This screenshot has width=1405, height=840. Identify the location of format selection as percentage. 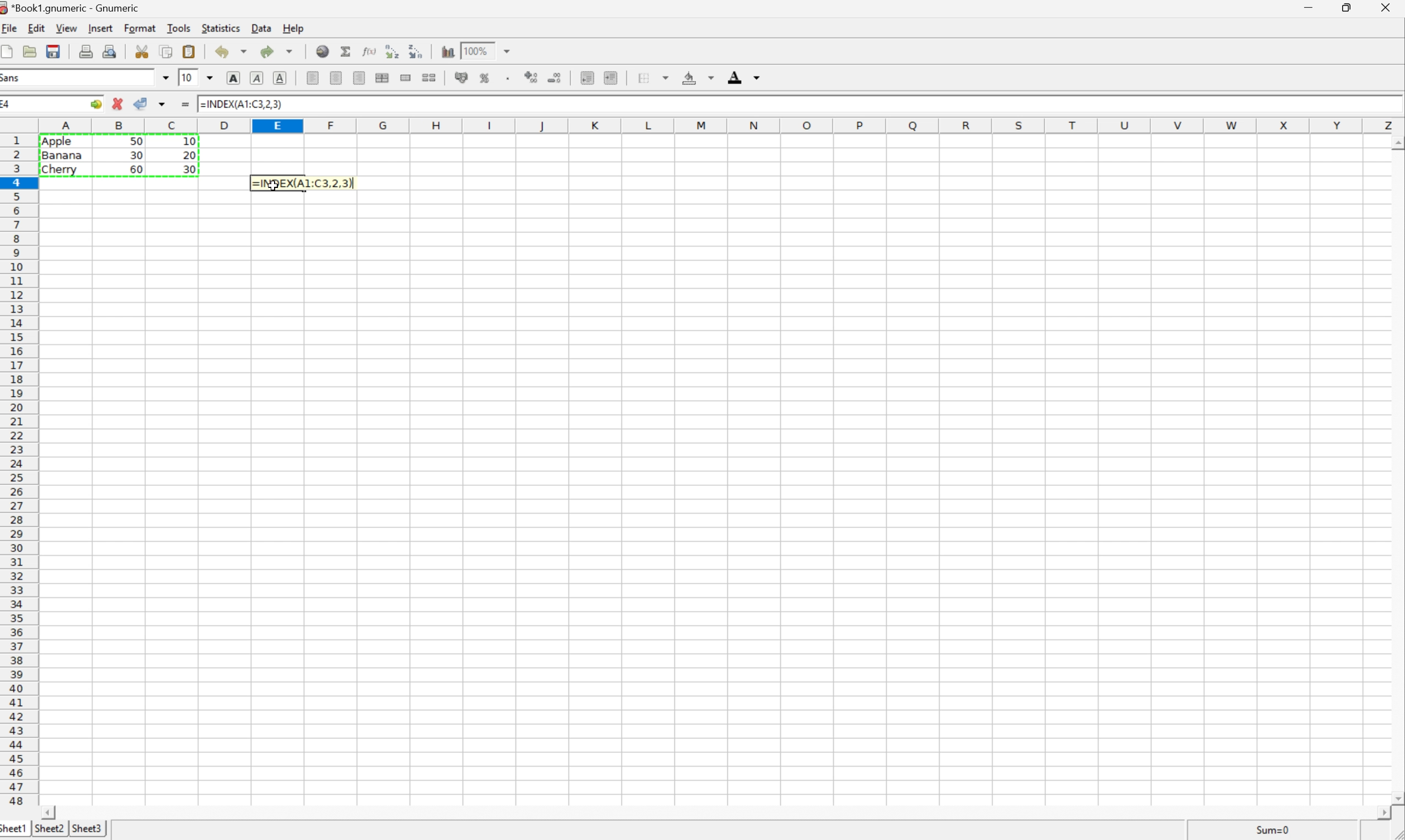
(488, 79).